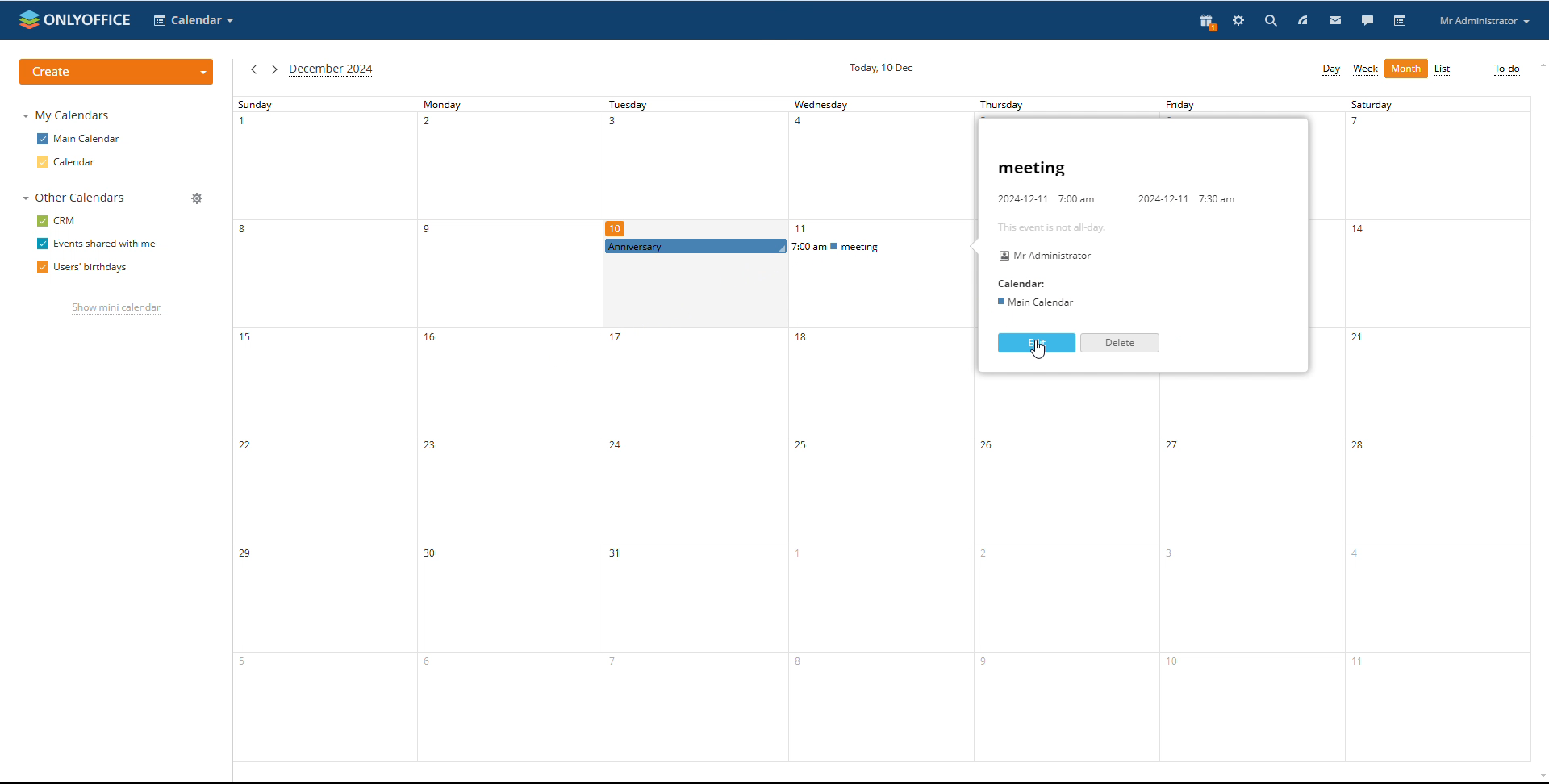 The image size is (1549, 784). Describe the element at coordinates (80, 269) in the screenshot. I see `users' birthdays` at that location.